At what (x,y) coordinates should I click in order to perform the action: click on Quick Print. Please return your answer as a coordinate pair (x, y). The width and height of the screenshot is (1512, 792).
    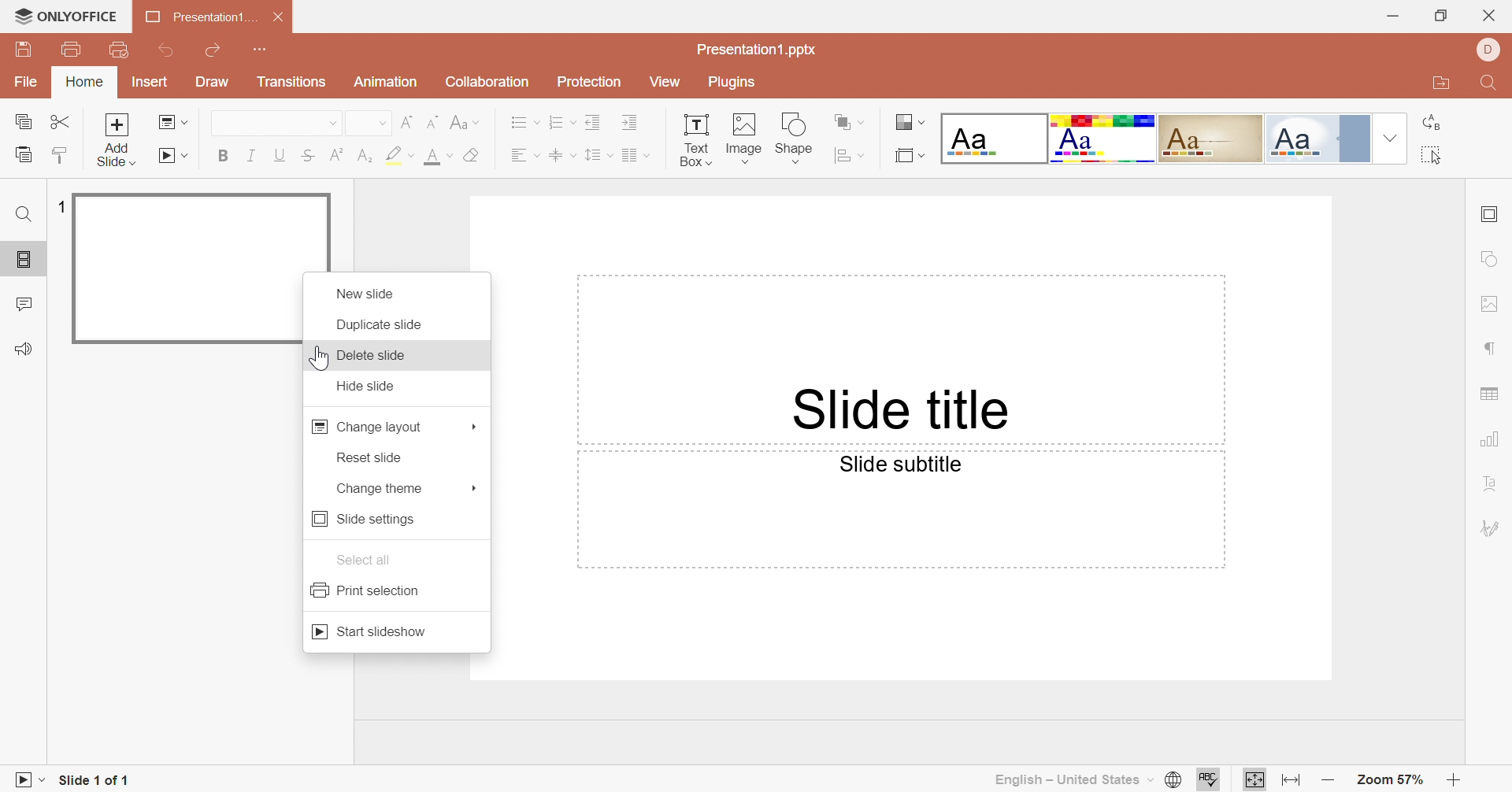
    Looking at the image, I should click on (119, 48).